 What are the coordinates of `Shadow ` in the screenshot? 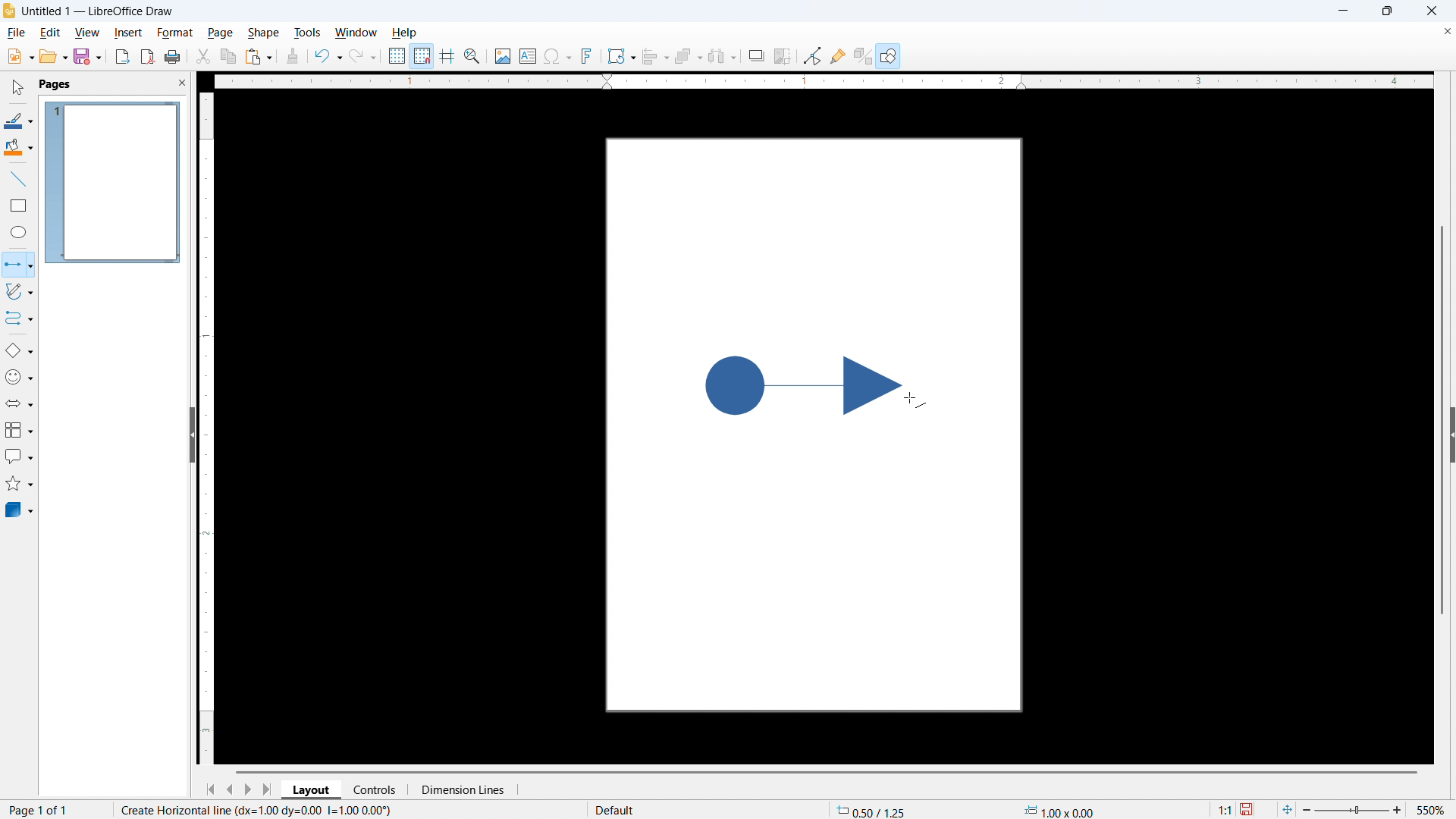 It's located at (756, 55).